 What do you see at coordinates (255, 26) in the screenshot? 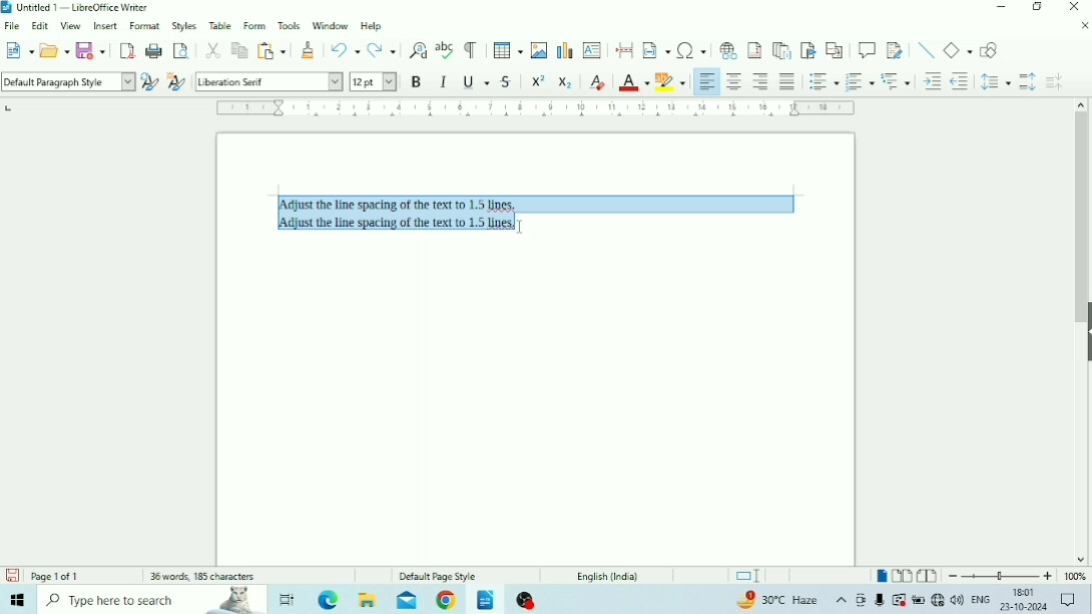
I see `Form` at bounding box center [255, 26].